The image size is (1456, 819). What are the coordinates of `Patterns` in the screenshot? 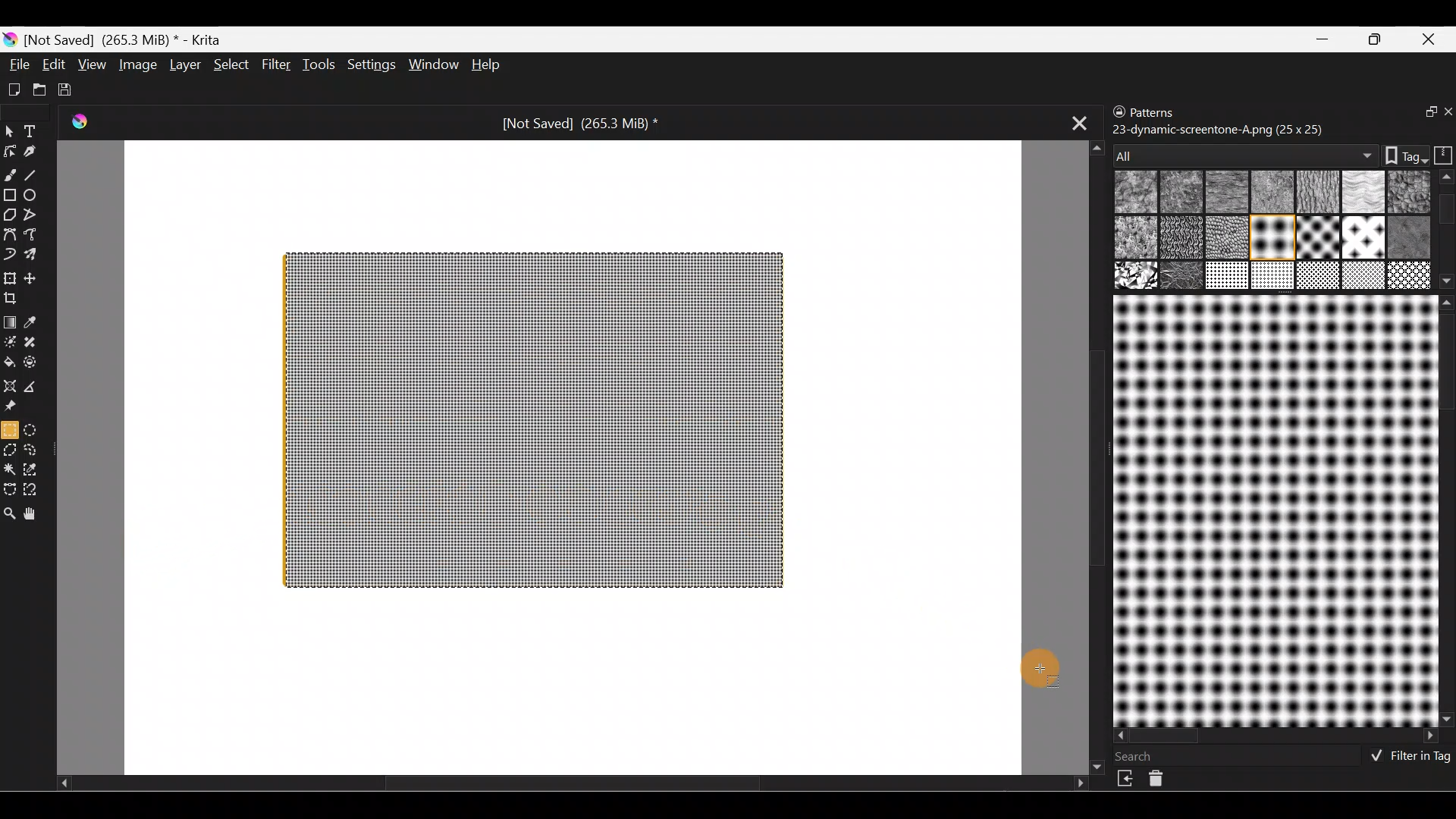 It's located at (1164, 109).